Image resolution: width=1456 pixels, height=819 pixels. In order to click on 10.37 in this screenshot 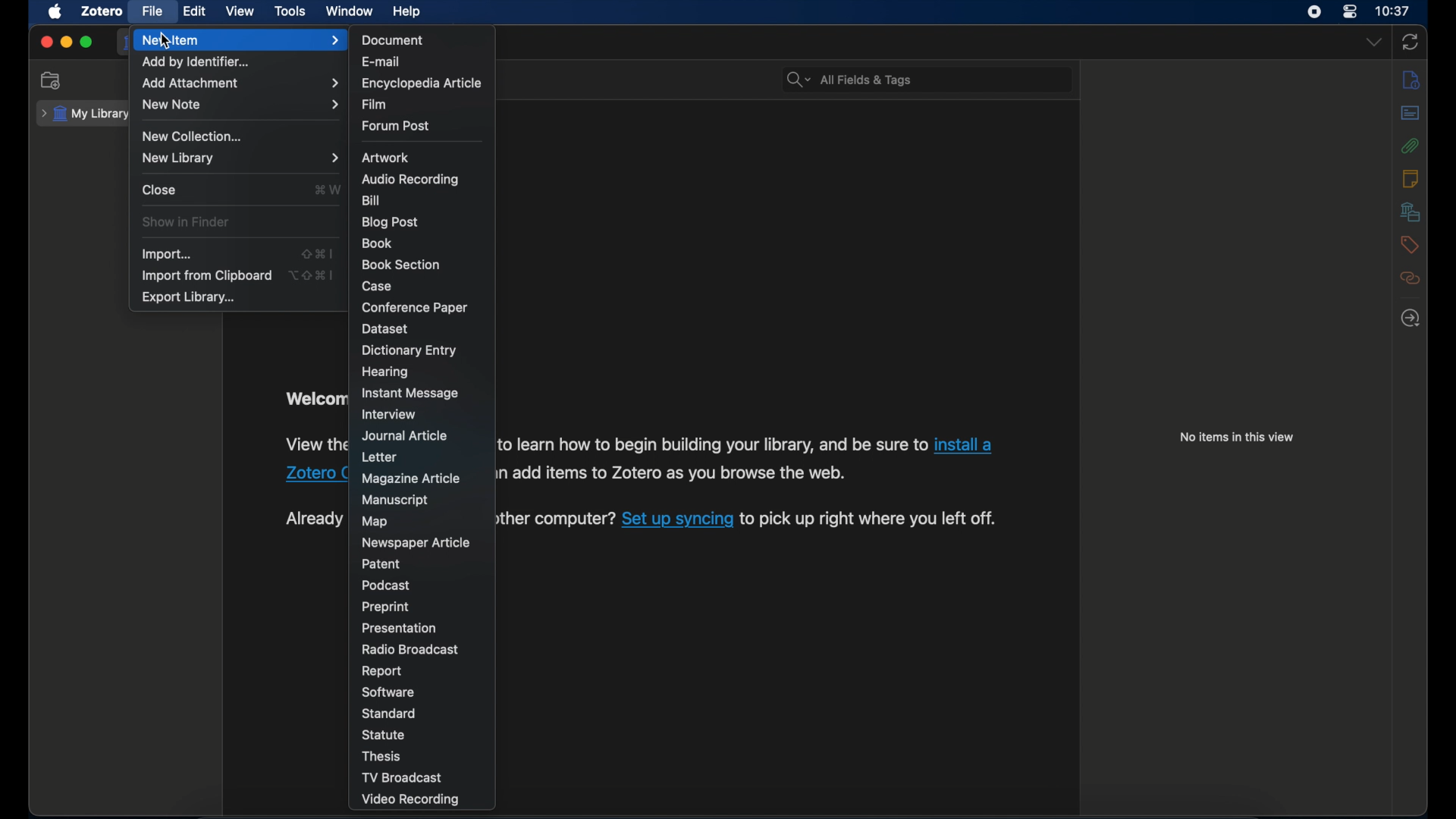, I will do `click(1393, 12)`.